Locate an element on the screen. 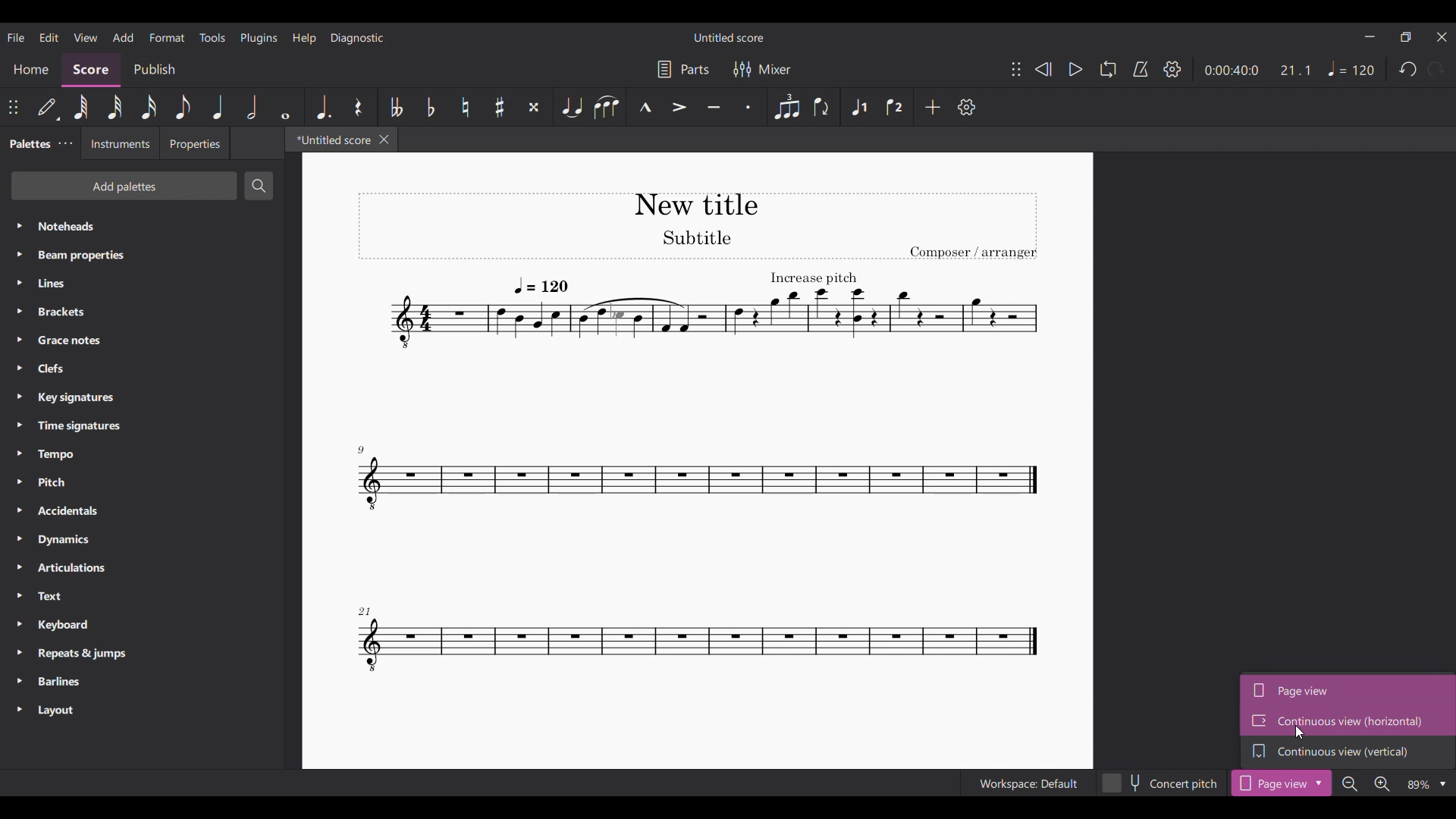 The height and width of the screenshot is (819, 1456). Score duration is located at coordinates (1232, 70).